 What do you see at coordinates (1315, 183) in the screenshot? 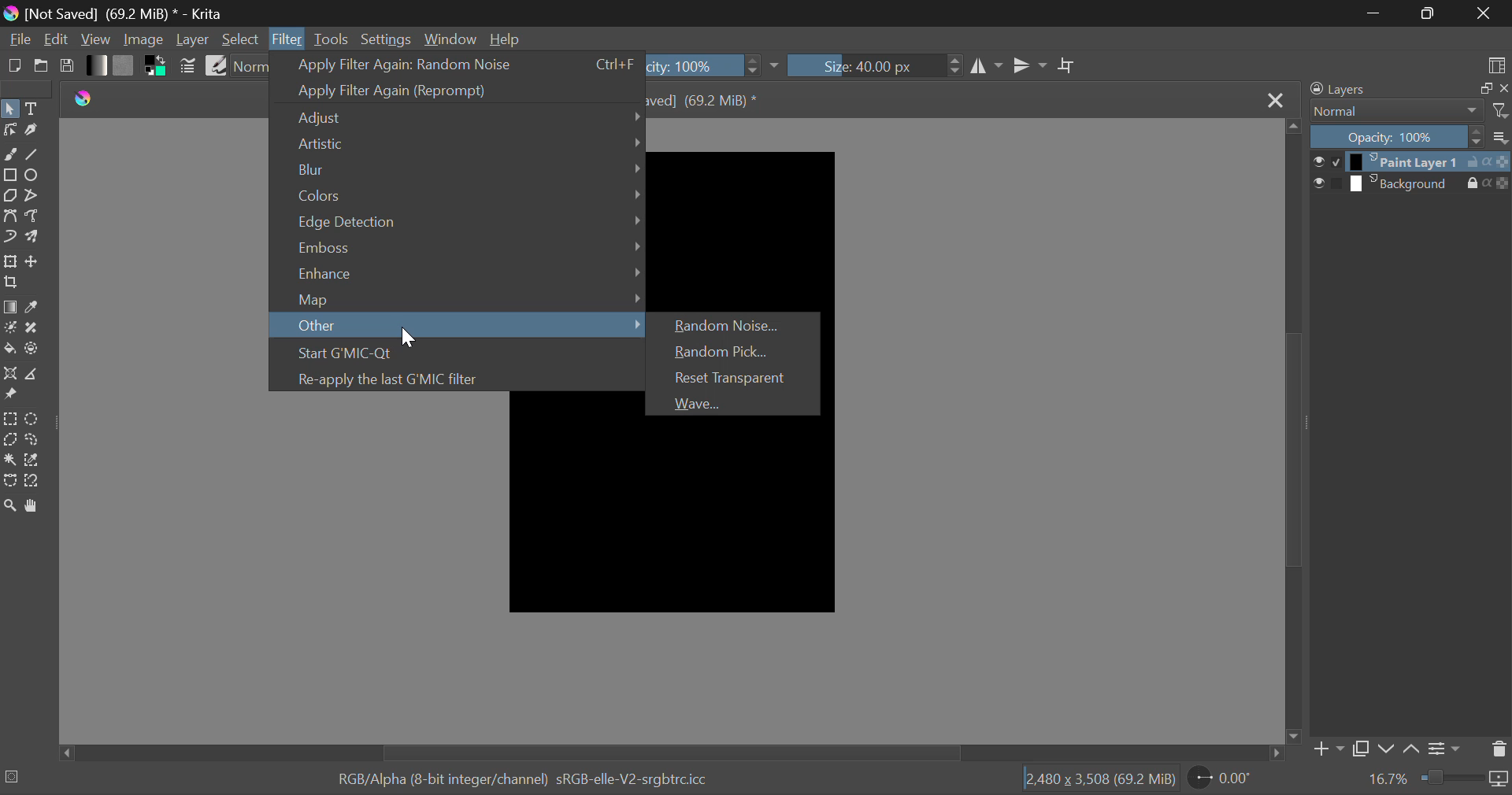
I see `select` at bounding box center [1315, 183].